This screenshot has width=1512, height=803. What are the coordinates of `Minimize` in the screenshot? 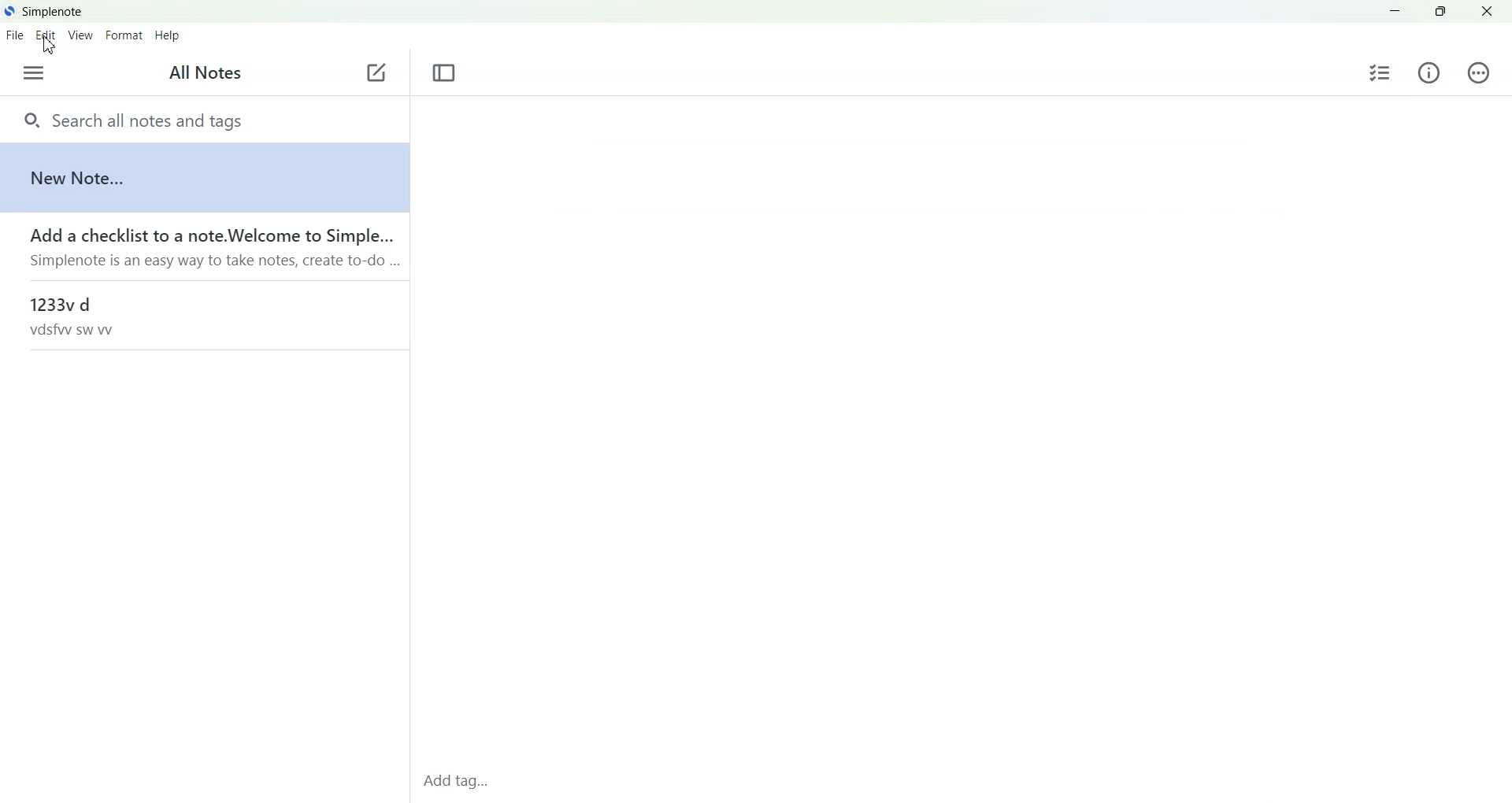 It's located at (1395, 12).